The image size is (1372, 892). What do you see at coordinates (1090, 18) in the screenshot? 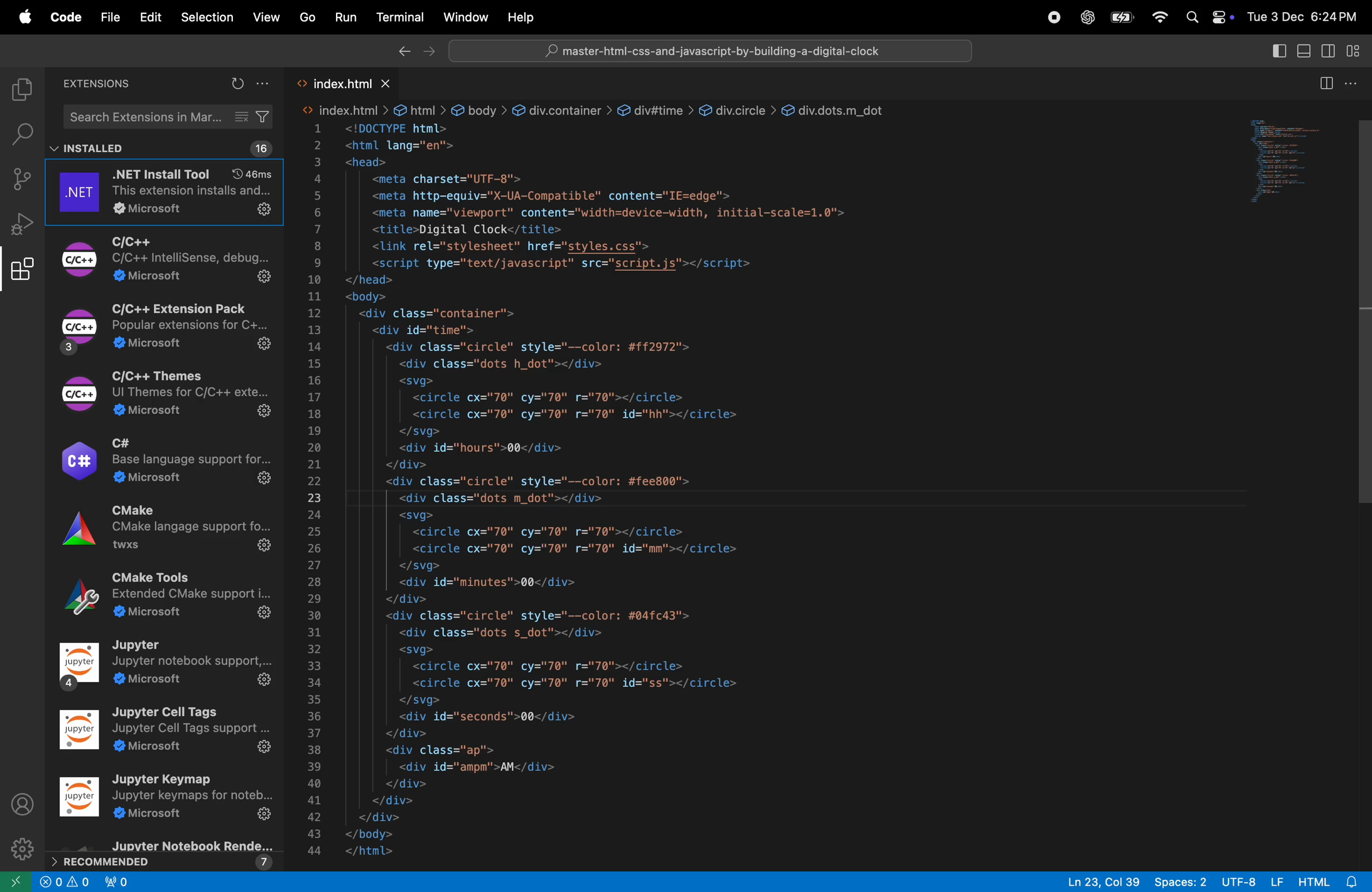
I see `chatgpt` at bounding box center [1090, 18].